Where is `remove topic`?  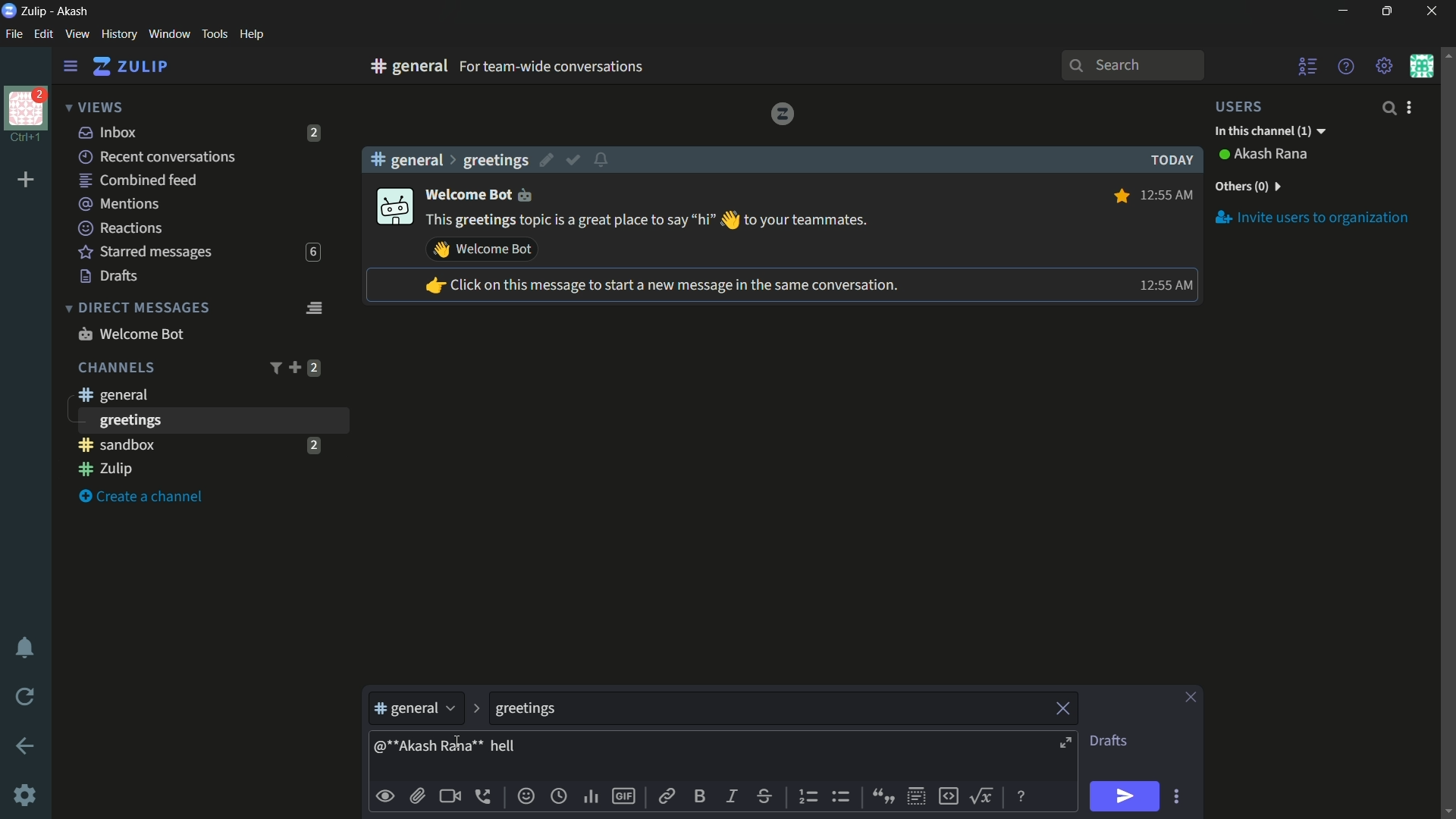 remove topic is located at coordinates (1065, 707).